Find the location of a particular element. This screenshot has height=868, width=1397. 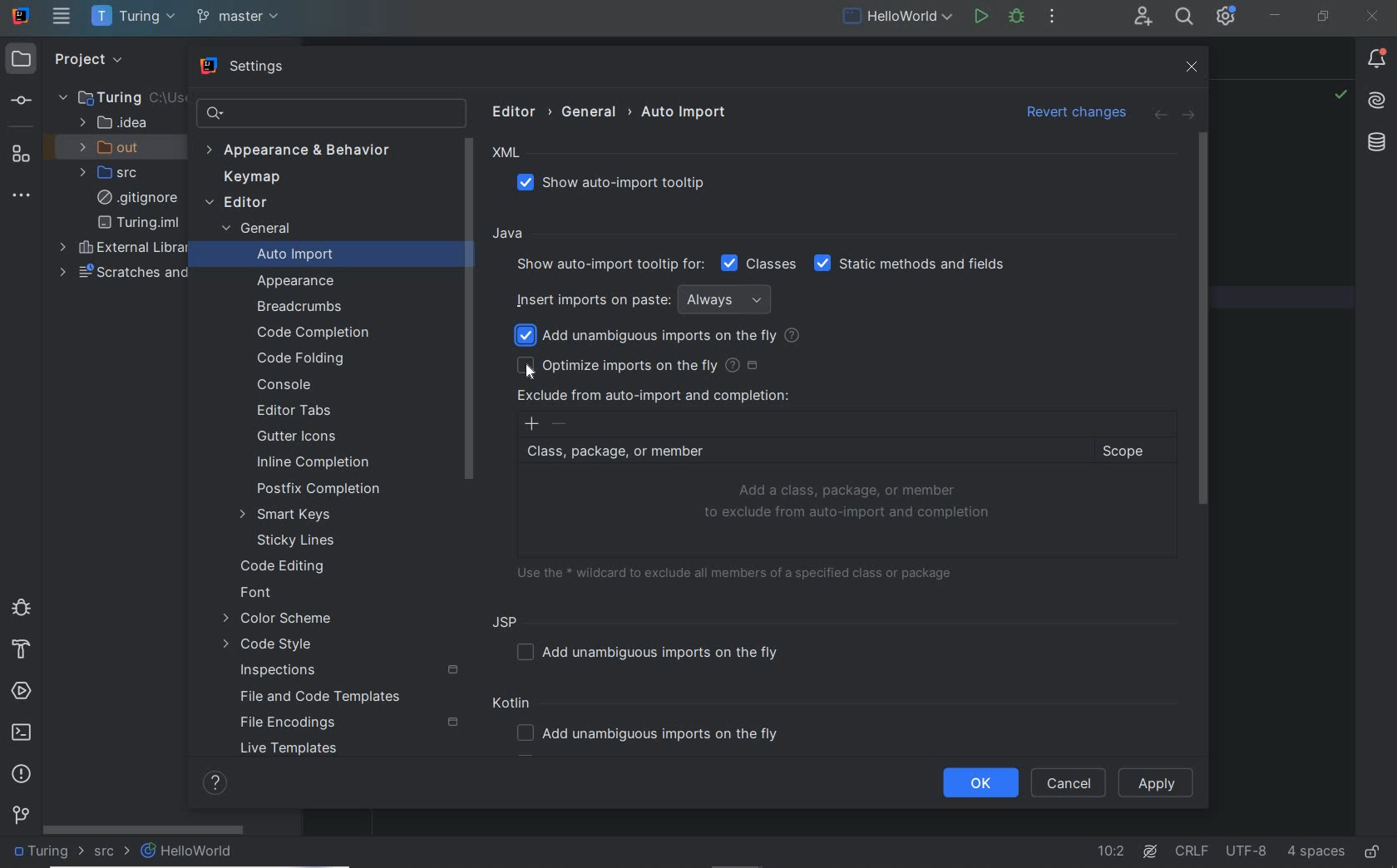

RESTORE DOWN is located at coordinates (1324, 18).